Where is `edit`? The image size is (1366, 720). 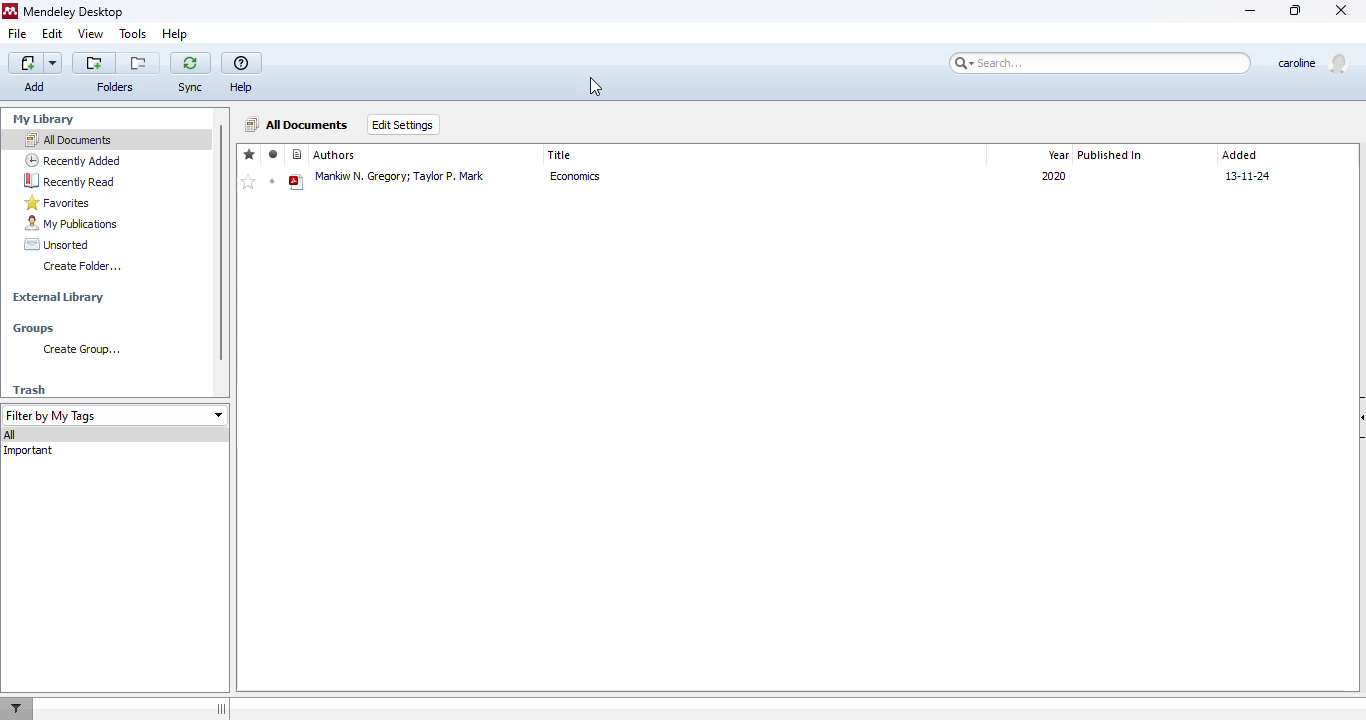
edit is located at coordinates (53, 33).